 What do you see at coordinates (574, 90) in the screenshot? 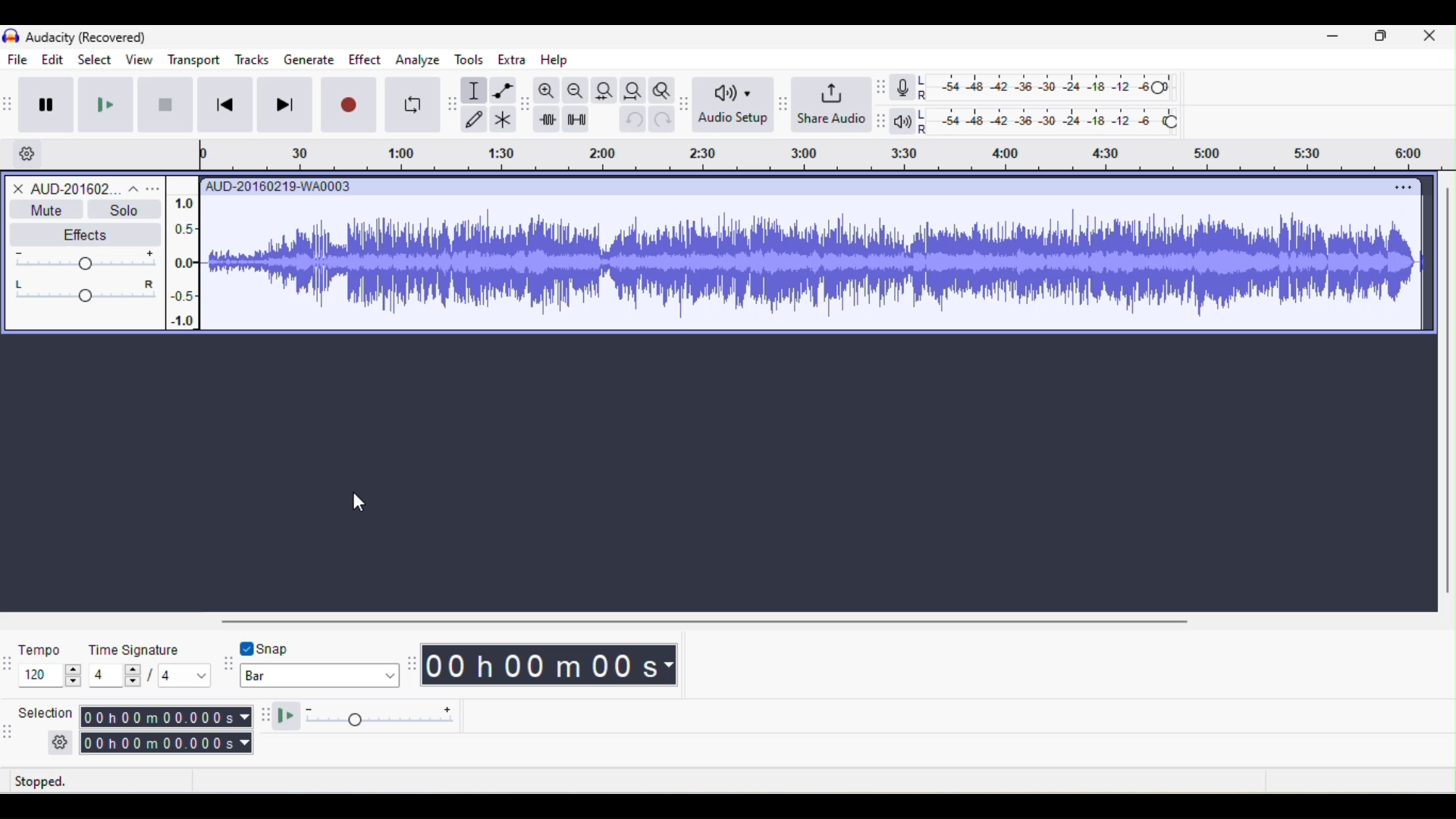
I see `zoom out` at bounding box center [574, 90].